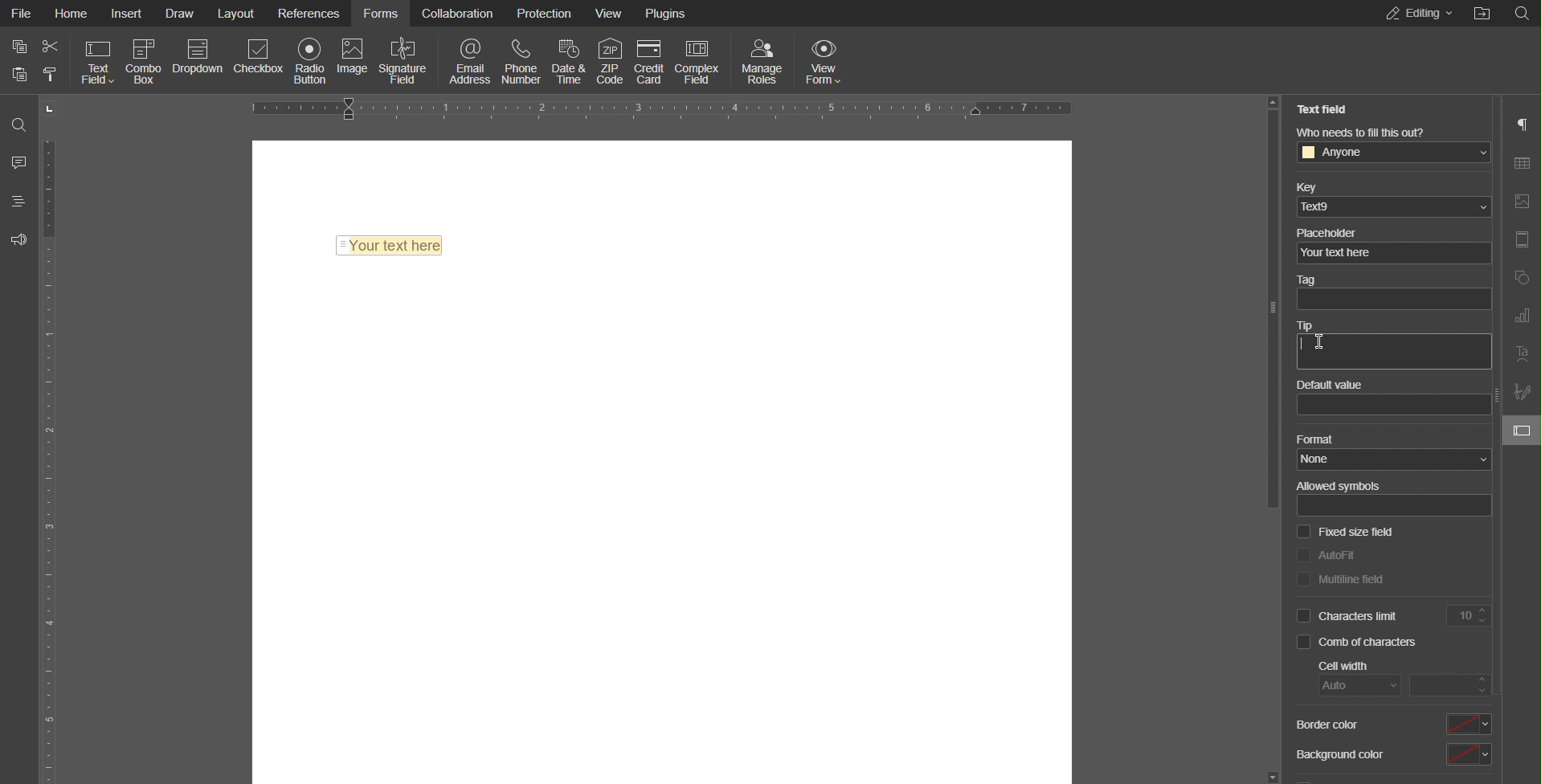  What do you see at coordinates (700, 60) in the screenshot?
I see `Complex Field` at bounding box center [700, 60].